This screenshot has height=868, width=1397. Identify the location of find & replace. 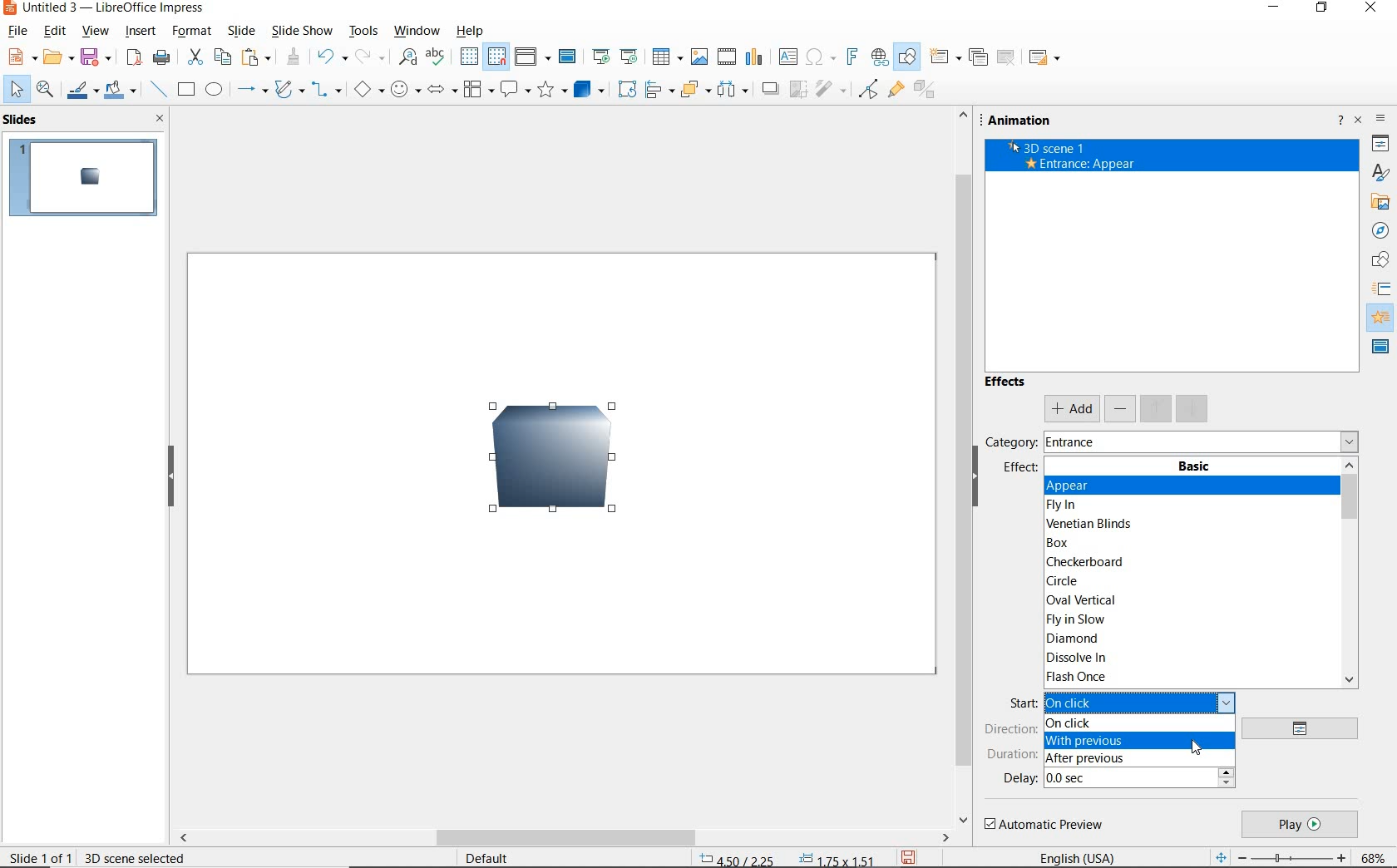
(407, 57).